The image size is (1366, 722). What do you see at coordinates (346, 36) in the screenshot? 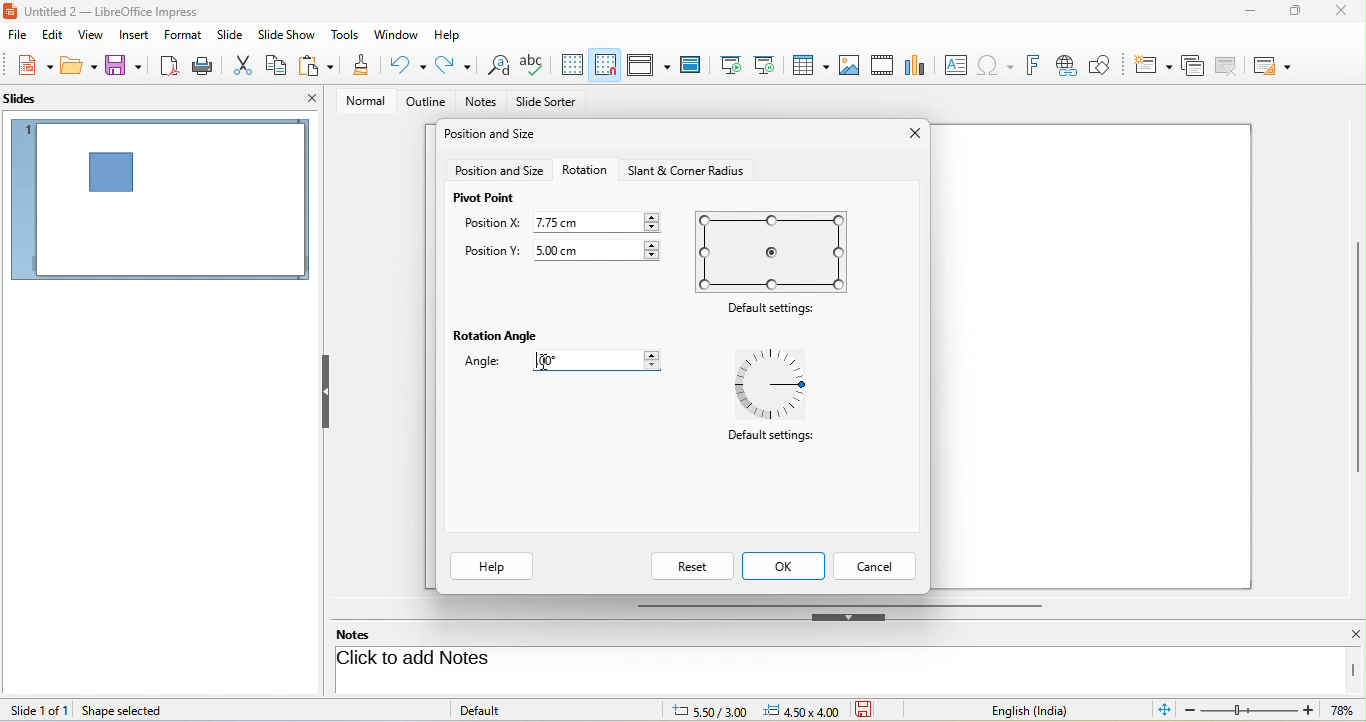
I see `tools` at bounding box center [346, 36].